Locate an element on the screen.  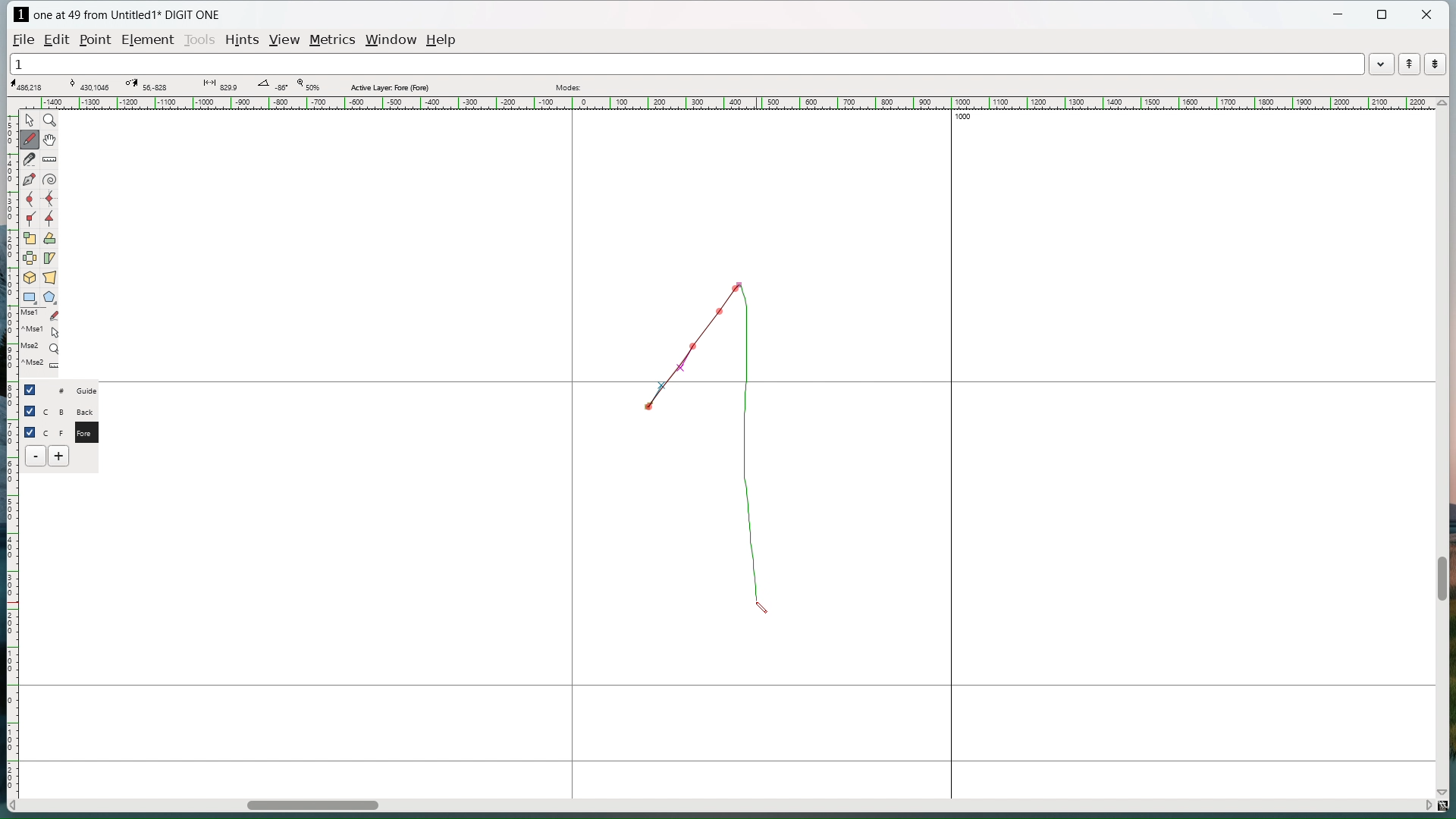
add a curve point is located at coordinates (30, 199).